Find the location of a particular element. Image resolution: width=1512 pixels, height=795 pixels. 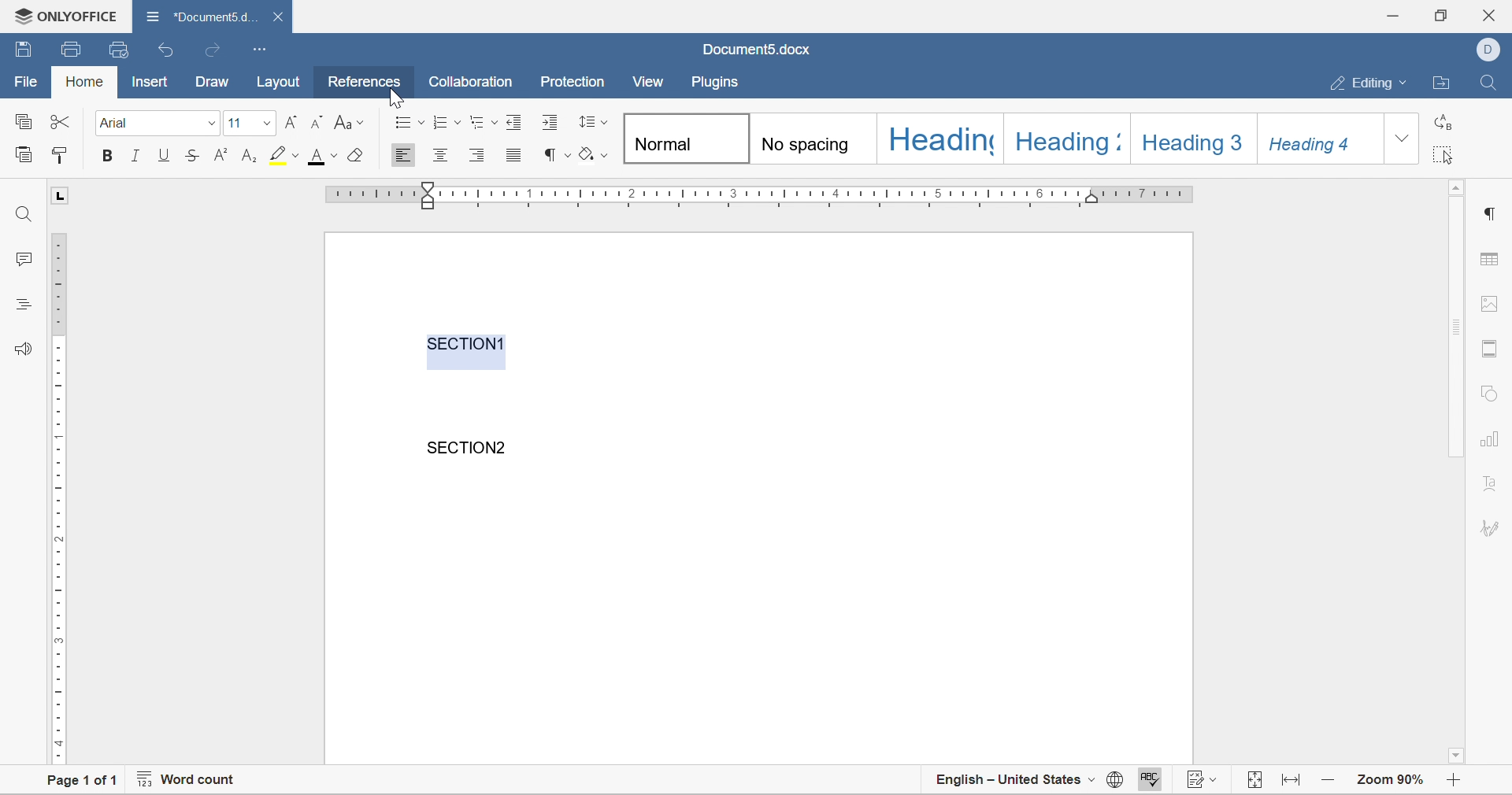

section1 is located at coordinates (467, 343).